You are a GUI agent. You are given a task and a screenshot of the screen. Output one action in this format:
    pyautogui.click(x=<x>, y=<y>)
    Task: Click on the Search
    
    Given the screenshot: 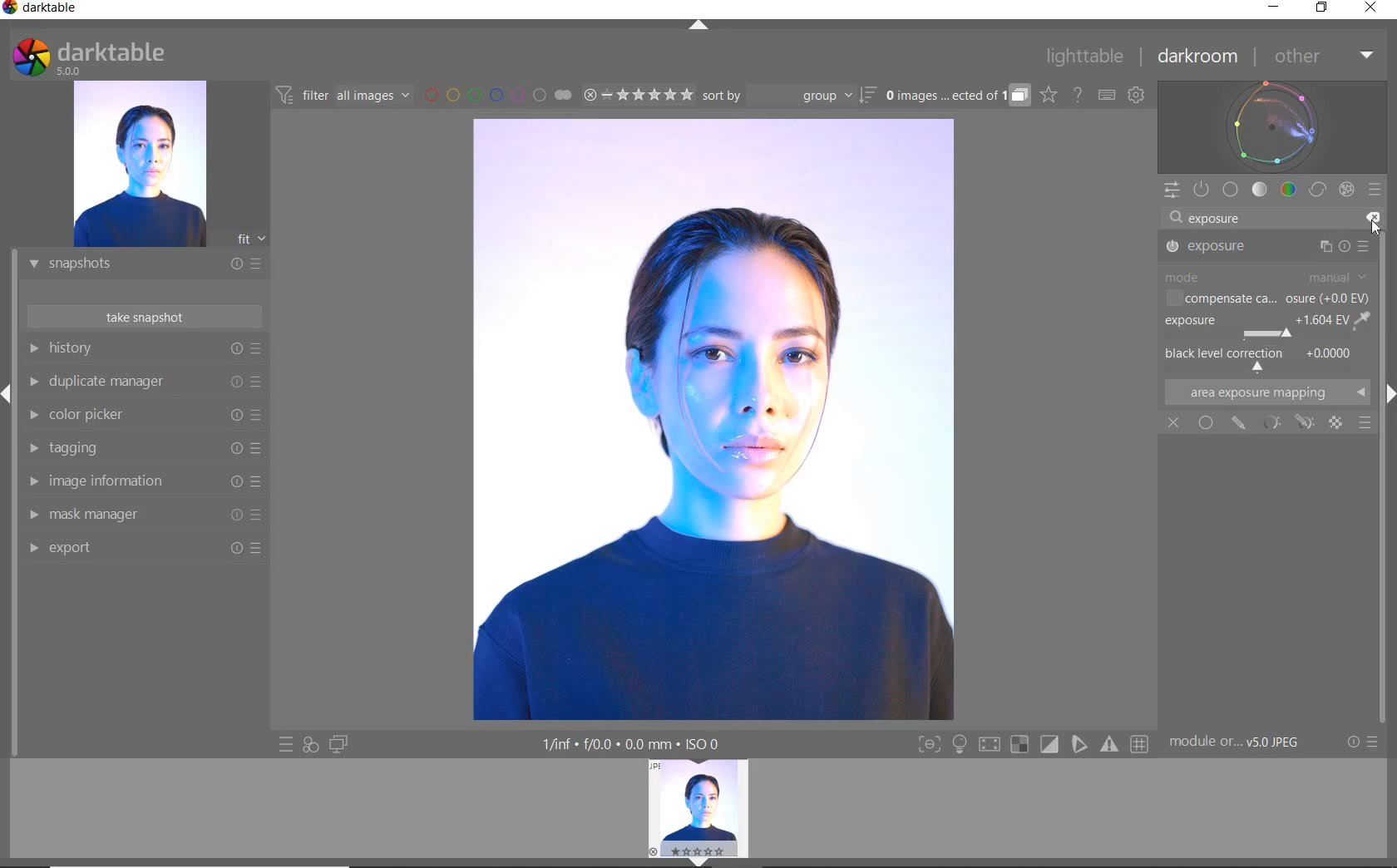 What is the action you would take?
    pyautogui.click(x=1173, y=219)
    